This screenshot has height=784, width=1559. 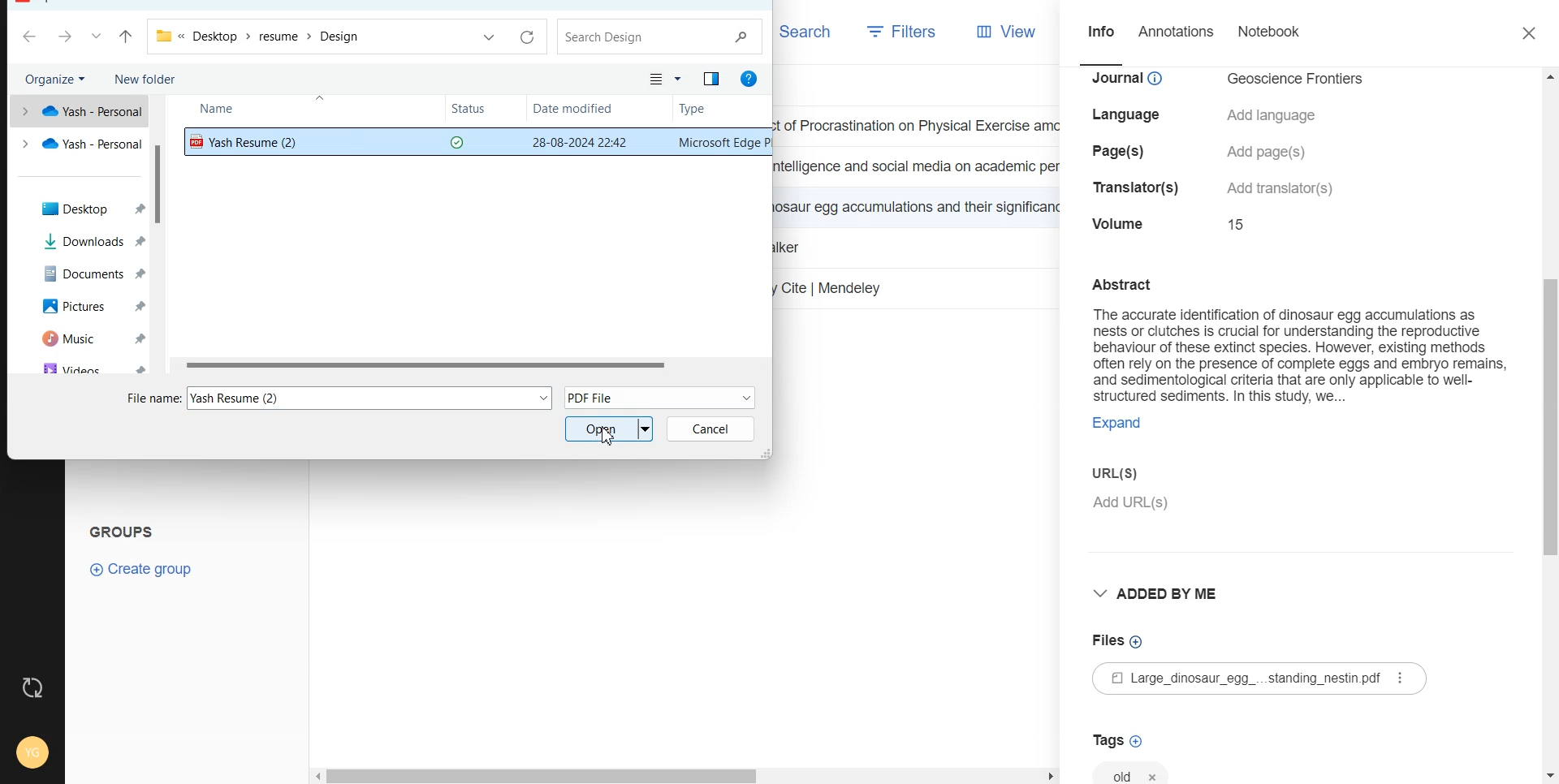 I want to click on expand, so click(x=1117, y=425).